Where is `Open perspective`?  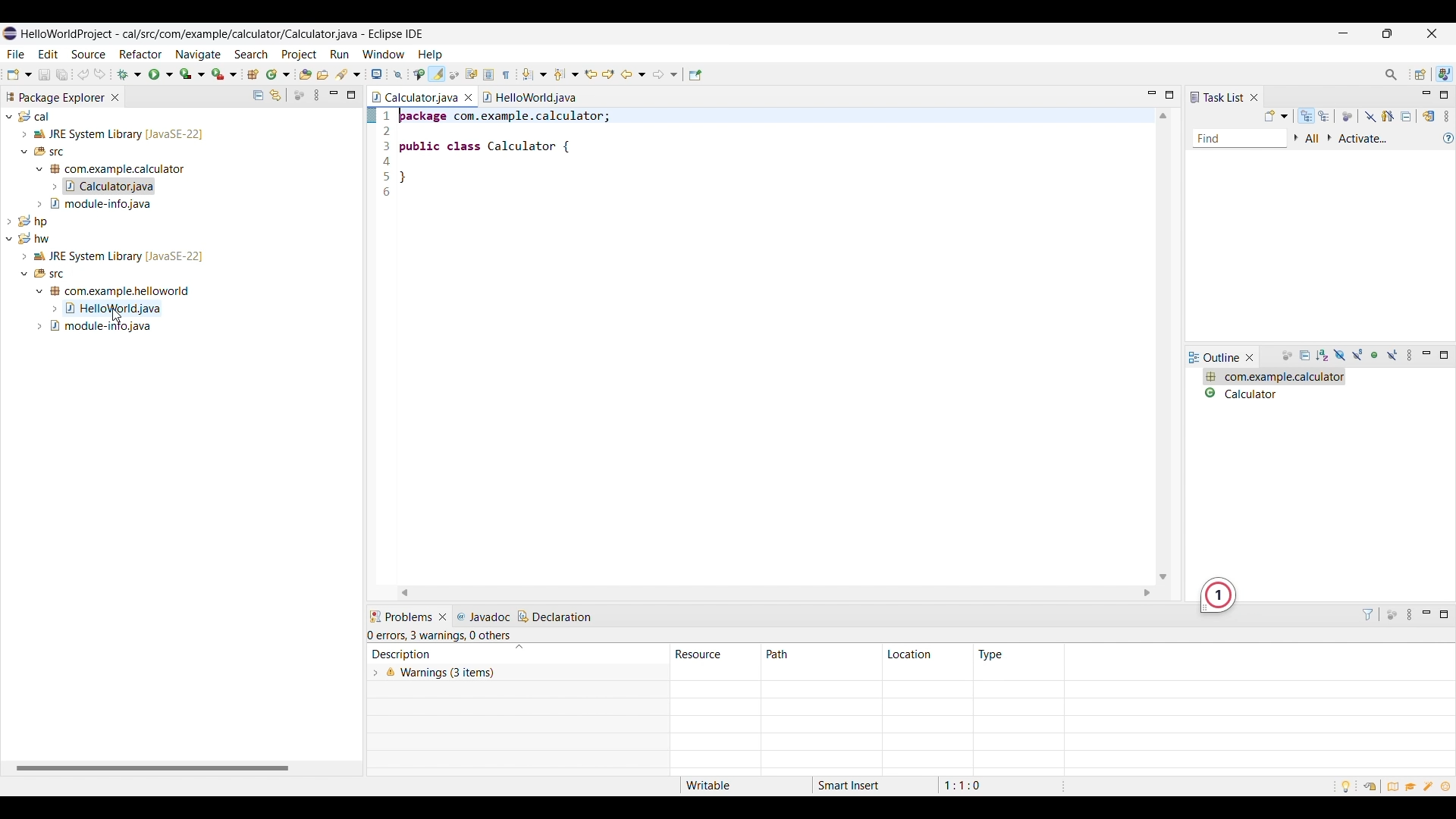
Open perspective is located at coordinates (1421, 74).